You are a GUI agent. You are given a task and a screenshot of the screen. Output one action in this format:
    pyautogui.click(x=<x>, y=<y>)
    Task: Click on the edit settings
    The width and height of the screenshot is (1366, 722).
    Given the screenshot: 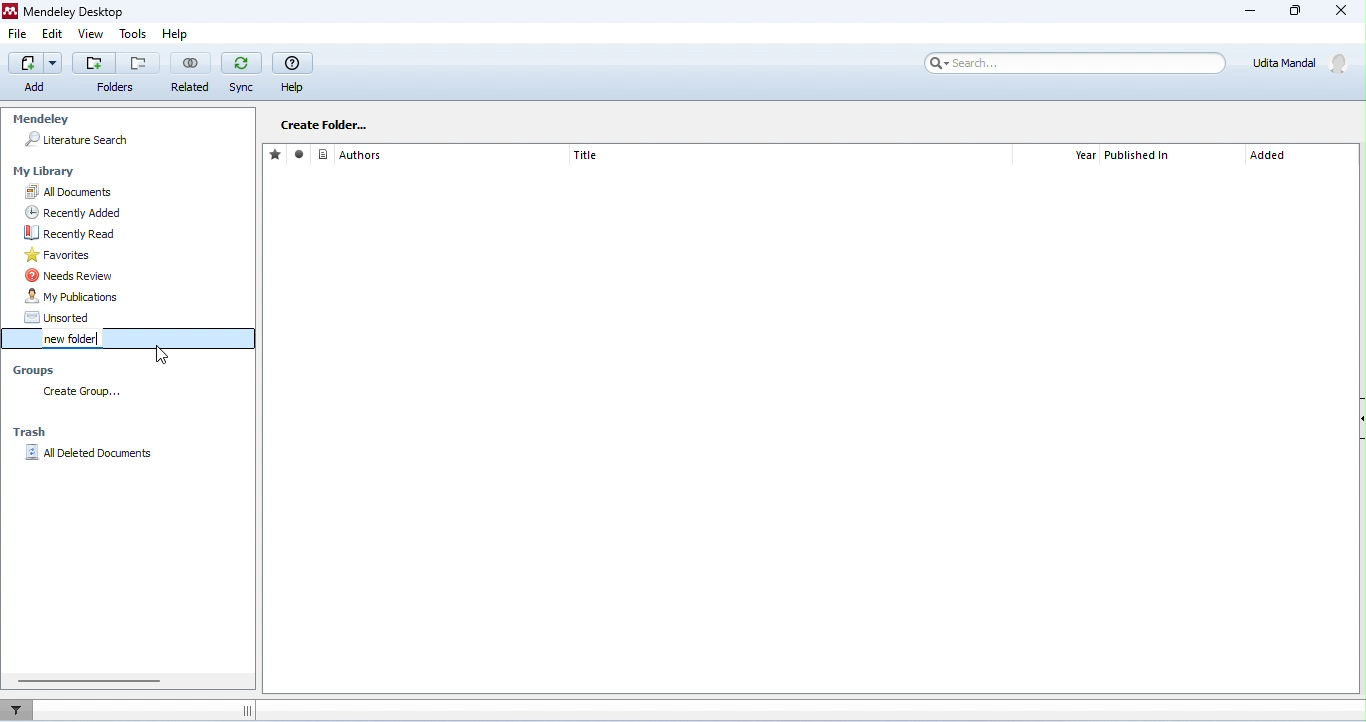 What is the action you would take?
    pyautogui.click(x=429, y=123)
    